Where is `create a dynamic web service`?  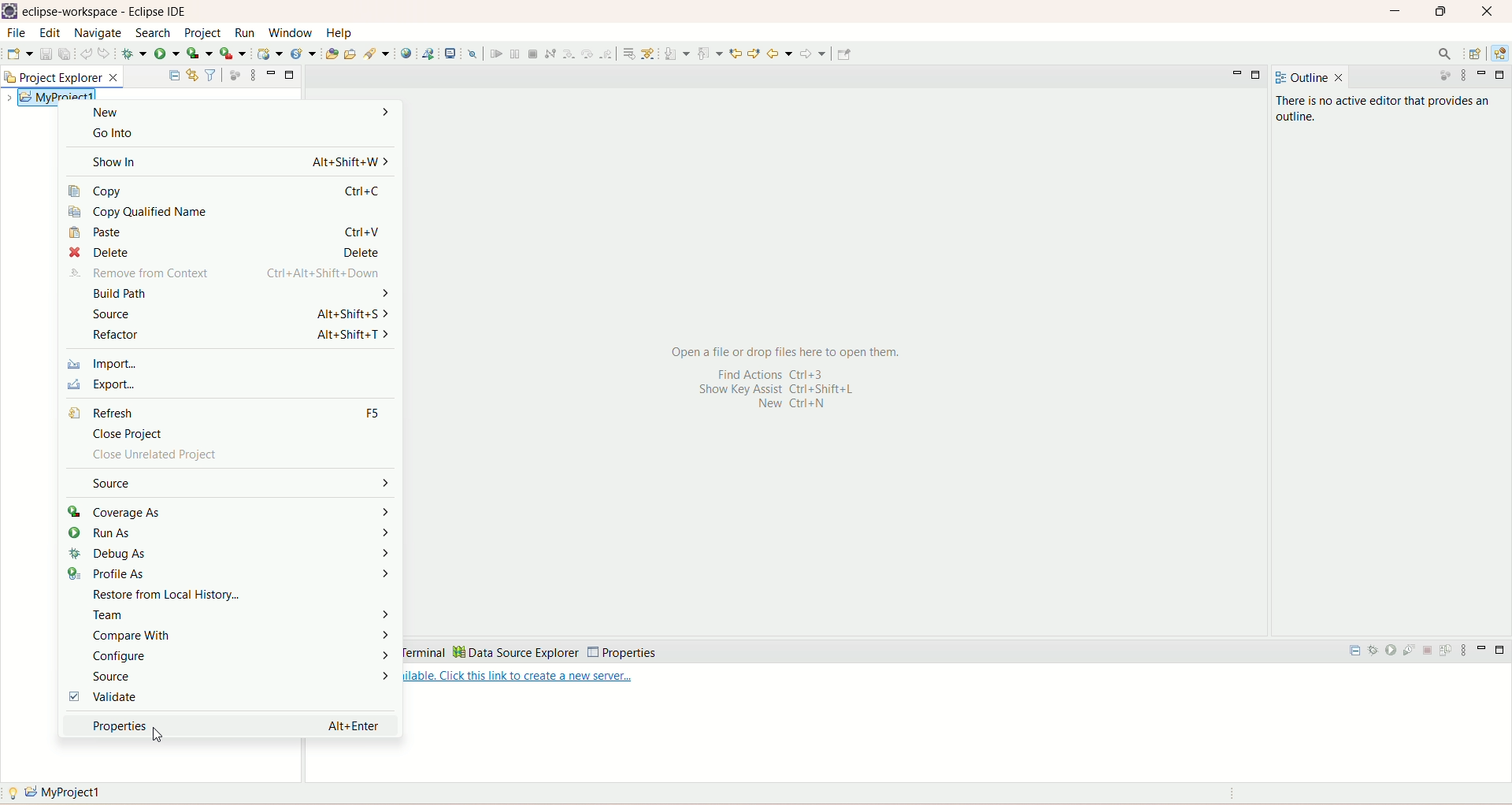 create a dynamic web service is located at coordinates (272, 54).